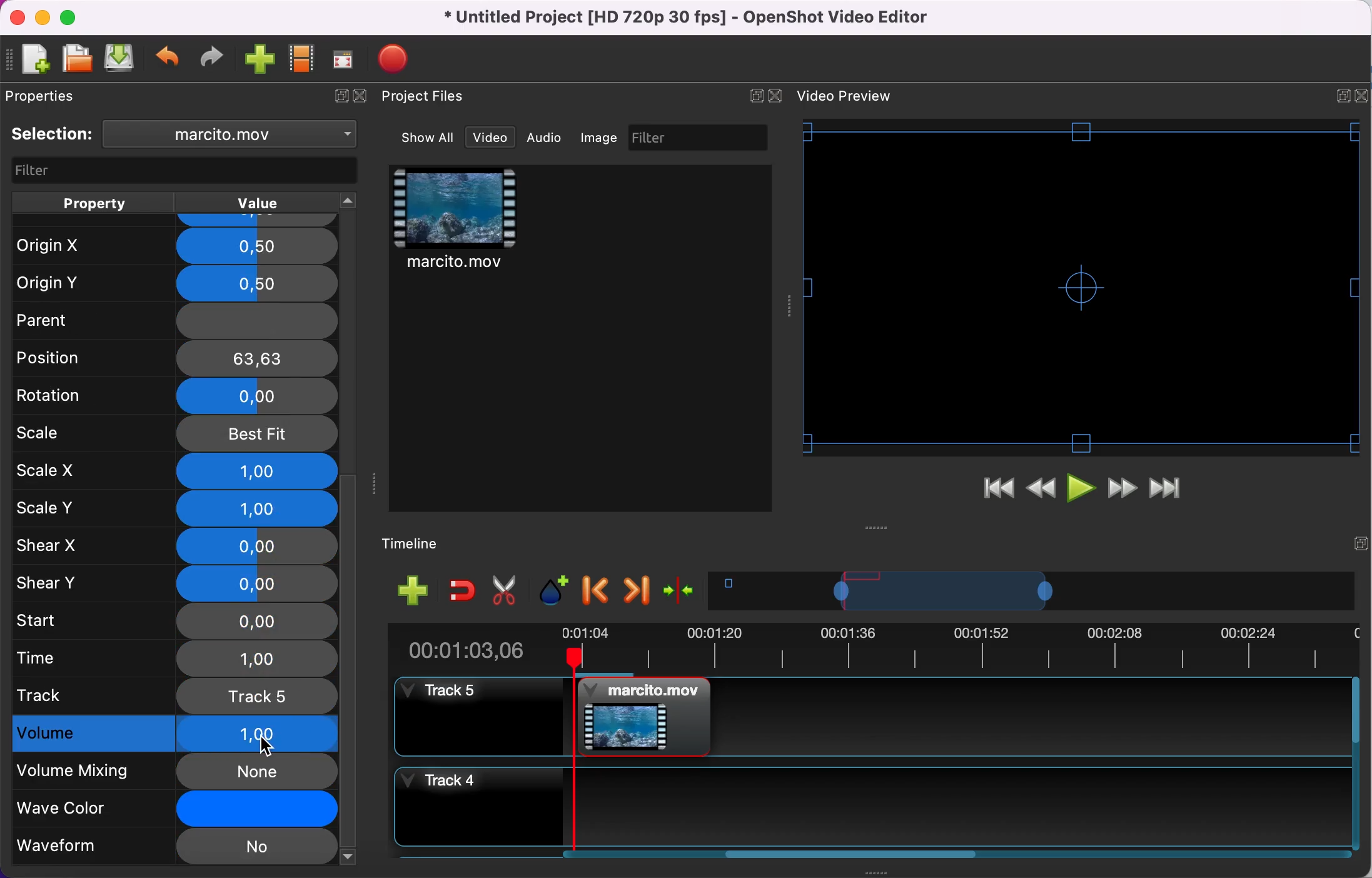 The width and height of the screenshot is (1372, 878). Describe the element at coordinates (490, 138) in the screenshot. I see `video` at that location.